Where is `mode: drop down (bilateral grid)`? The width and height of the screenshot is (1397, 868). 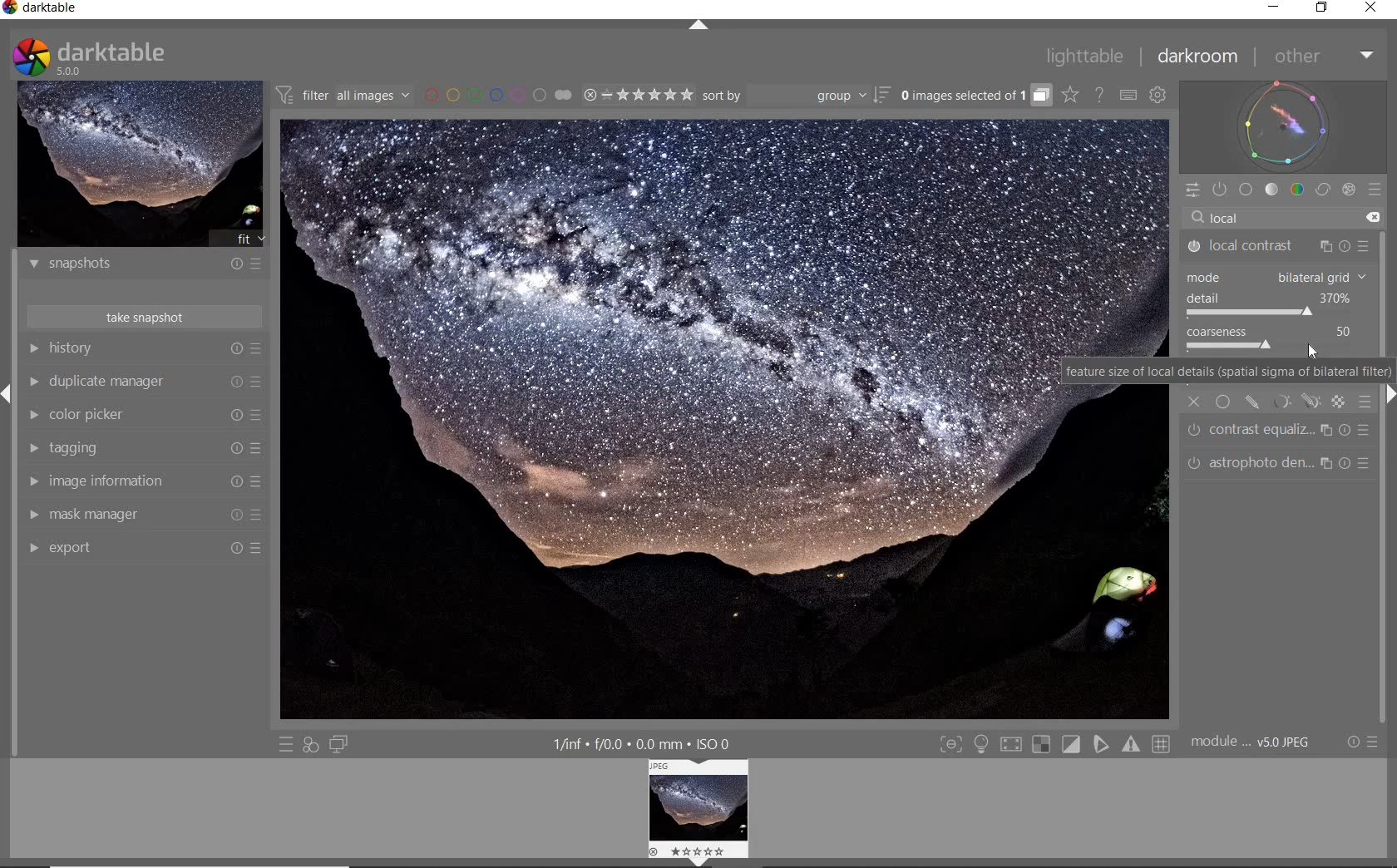
mode: drop down (bilateral grid) is located at coordinates (1273, 275).